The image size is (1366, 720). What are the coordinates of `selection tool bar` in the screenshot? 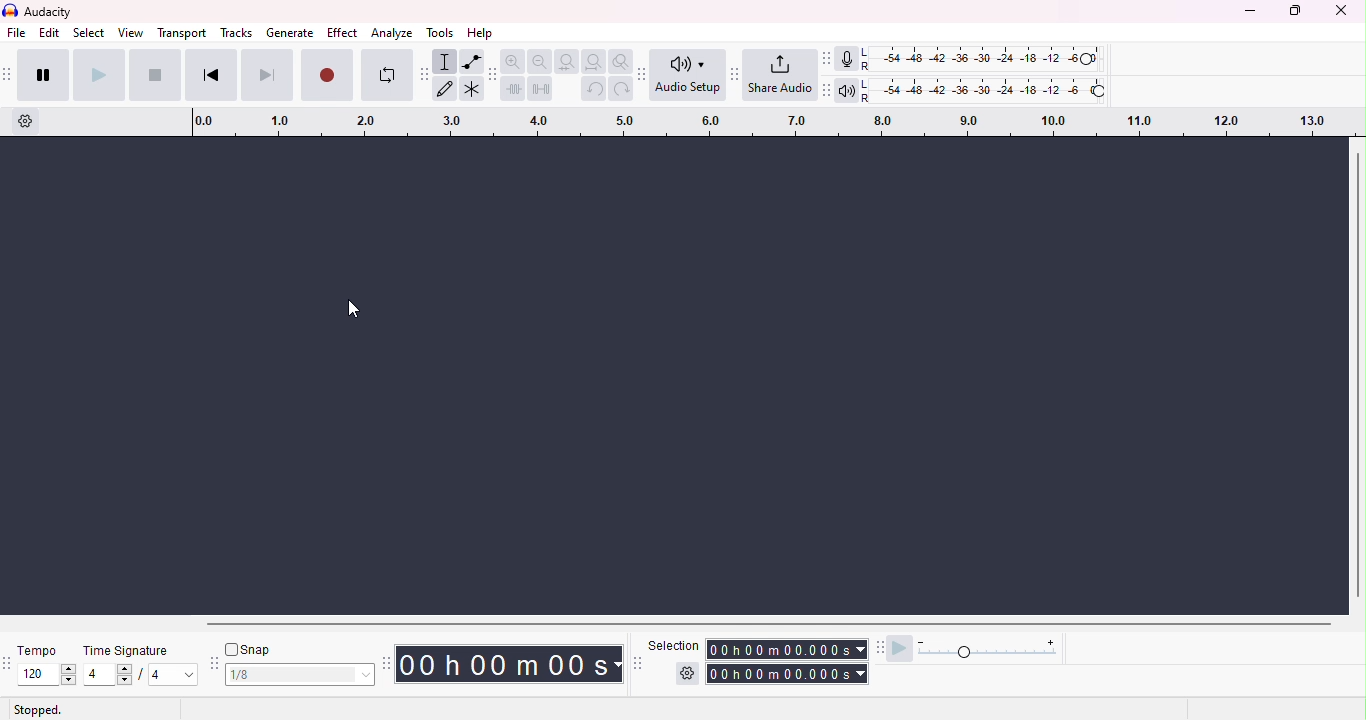 It's located at (636, 662).